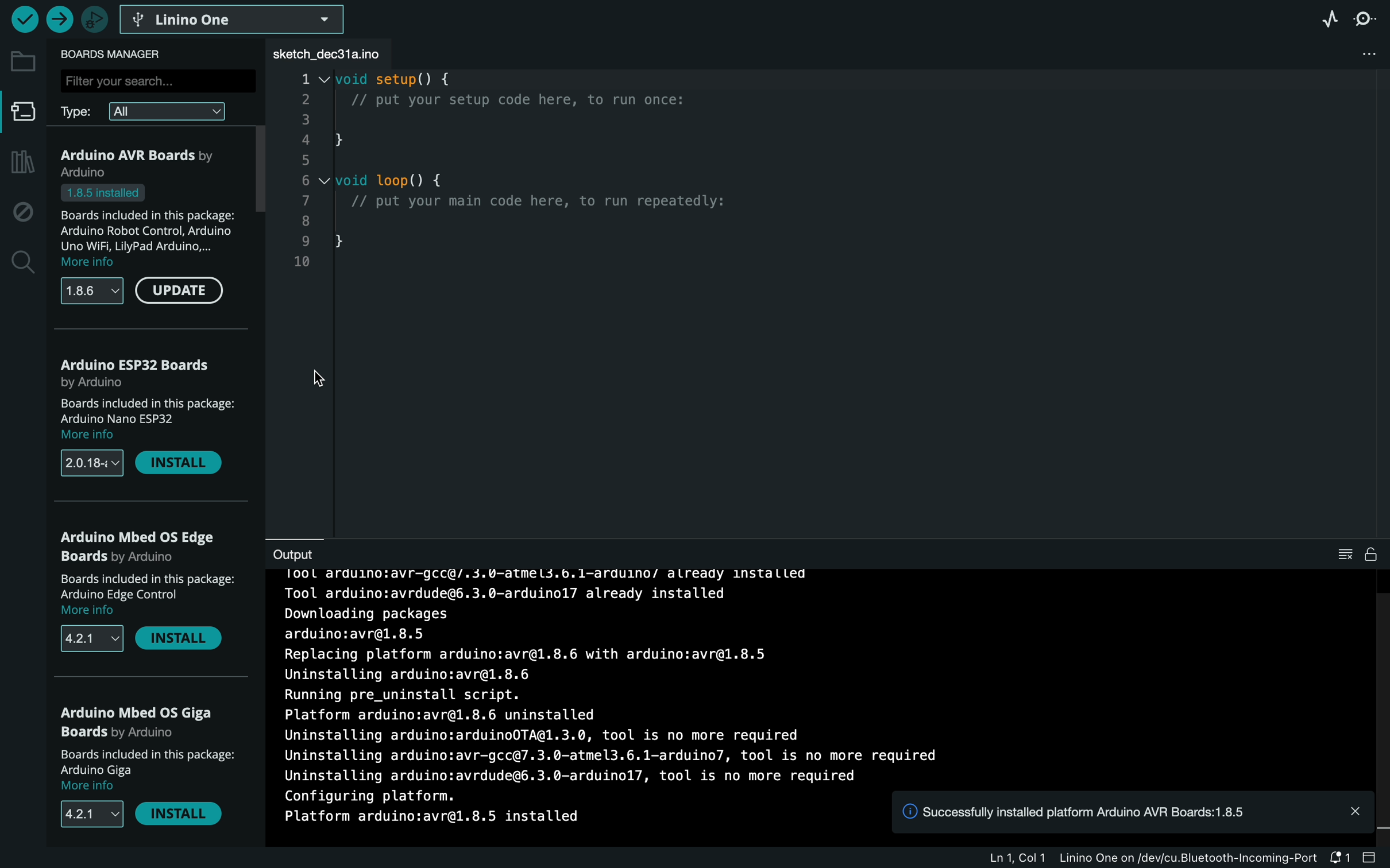 This screenshot has height=868, width=1390. I want to click on debugger, so click(94, 19).